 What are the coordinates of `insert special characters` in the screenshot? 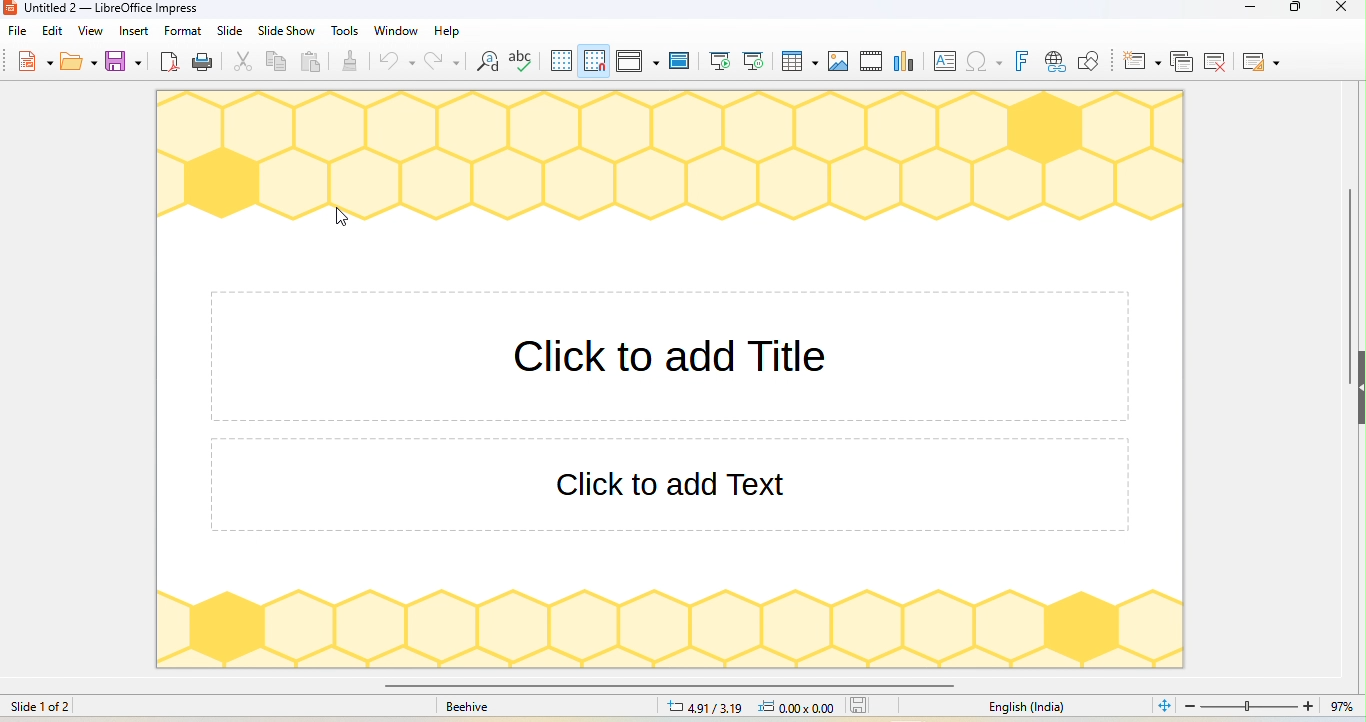 It's located at (984, 61).